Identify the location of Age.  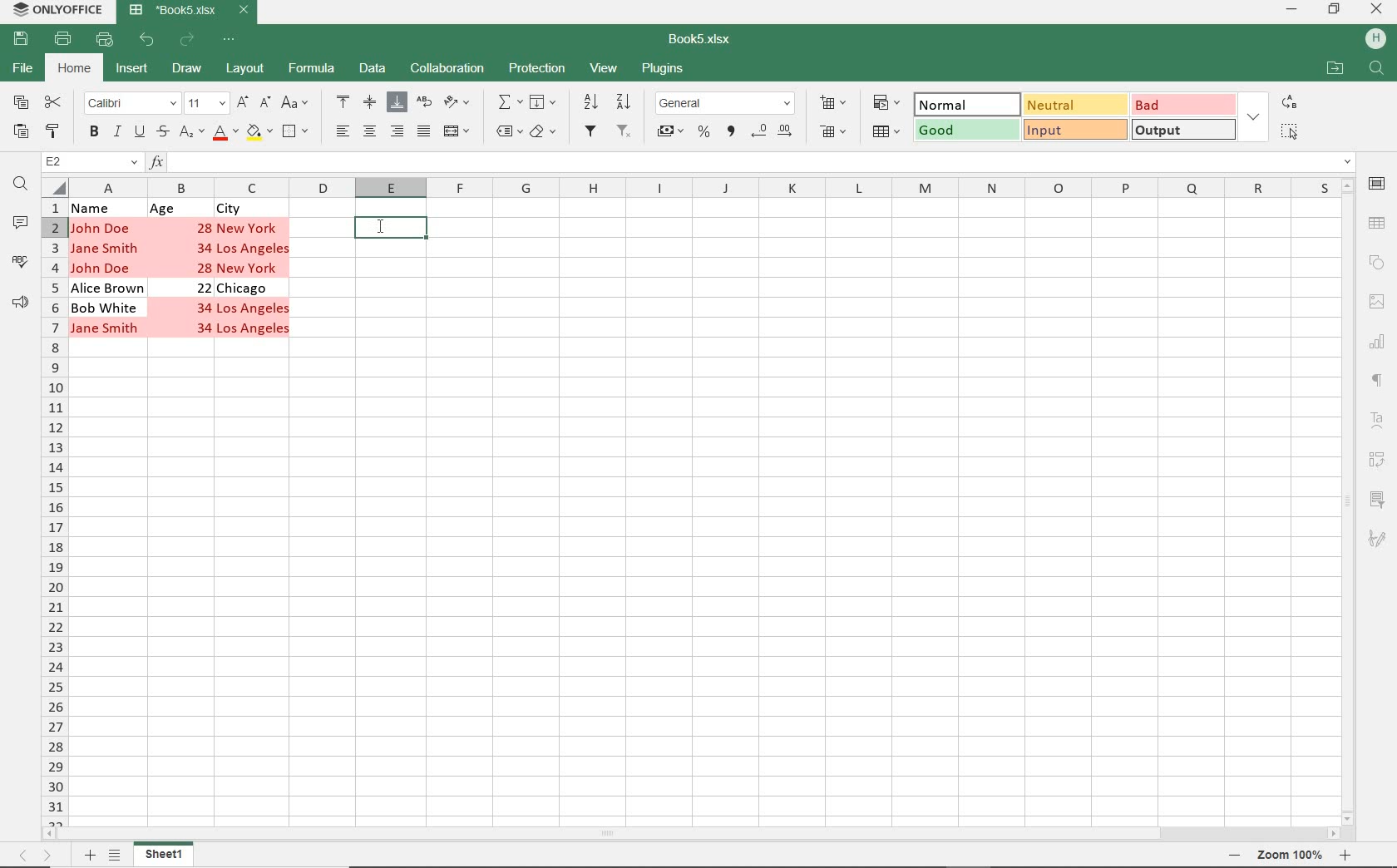
(164, 209).